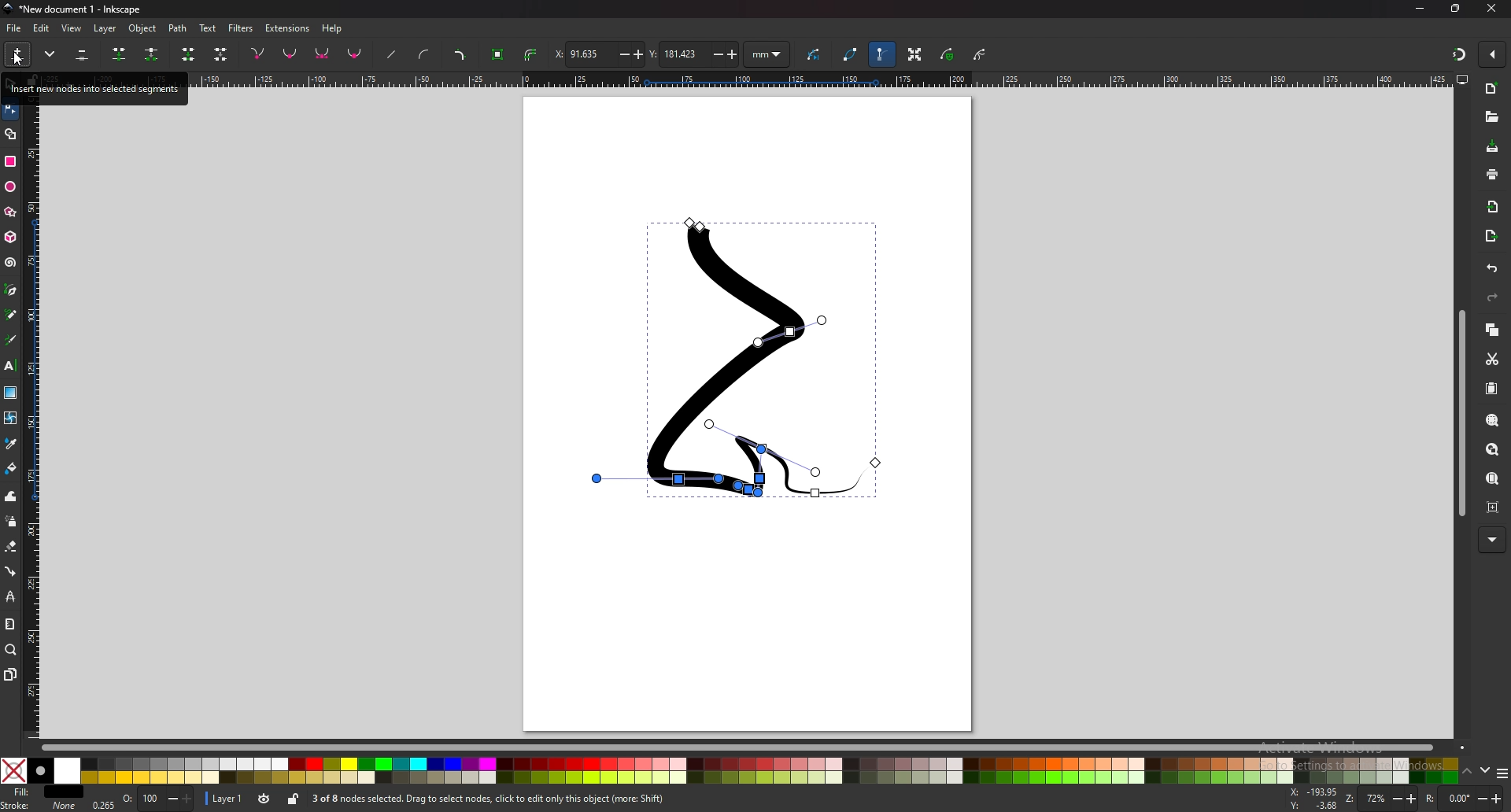 This screenshot has width=1511, height=812. What do you see at coordinates (356, 55) in the screenshot?
I see `auto smooth` at bounding box center [356, 55].